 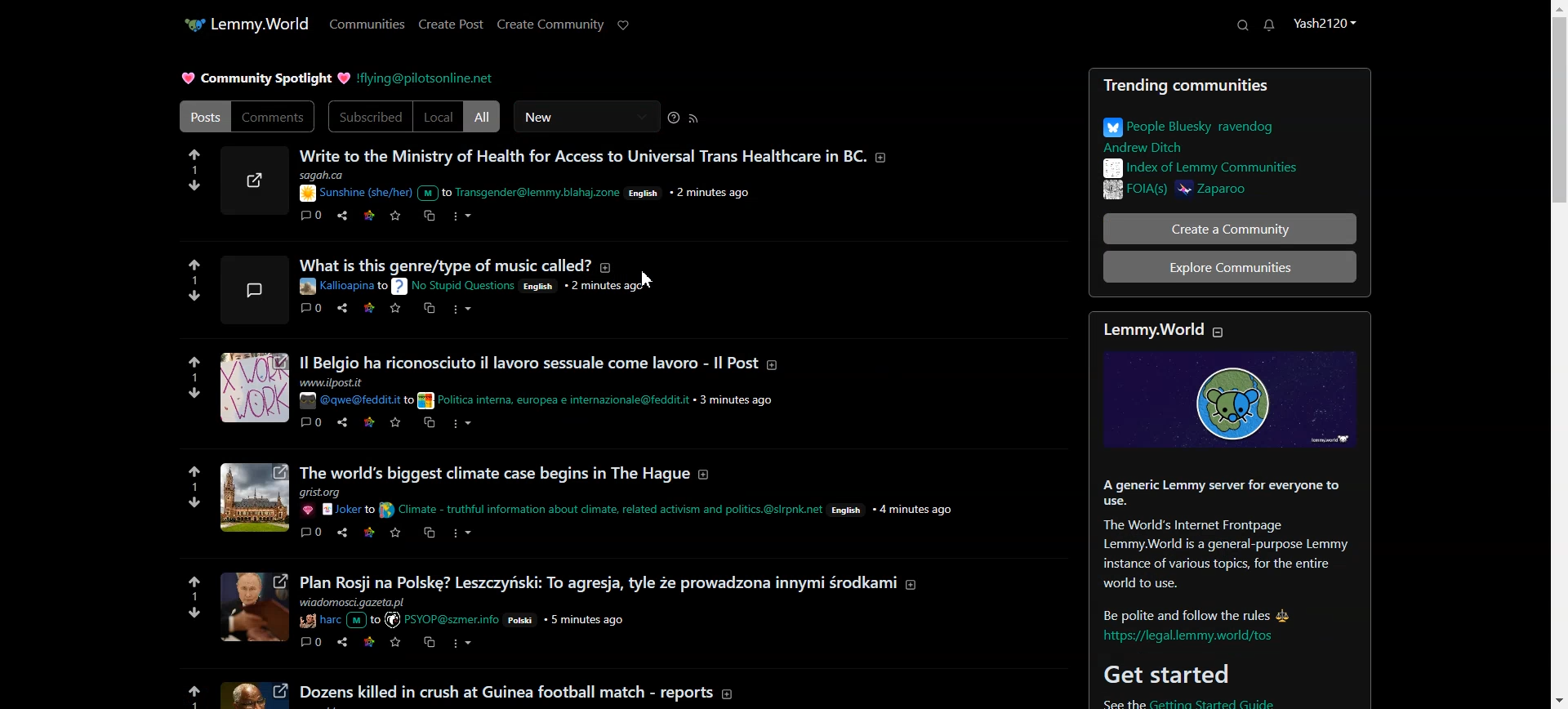 What do you see at coordinates (312, 215) in the screenshot?
I see `Comment` at bounding box center [312, 215].